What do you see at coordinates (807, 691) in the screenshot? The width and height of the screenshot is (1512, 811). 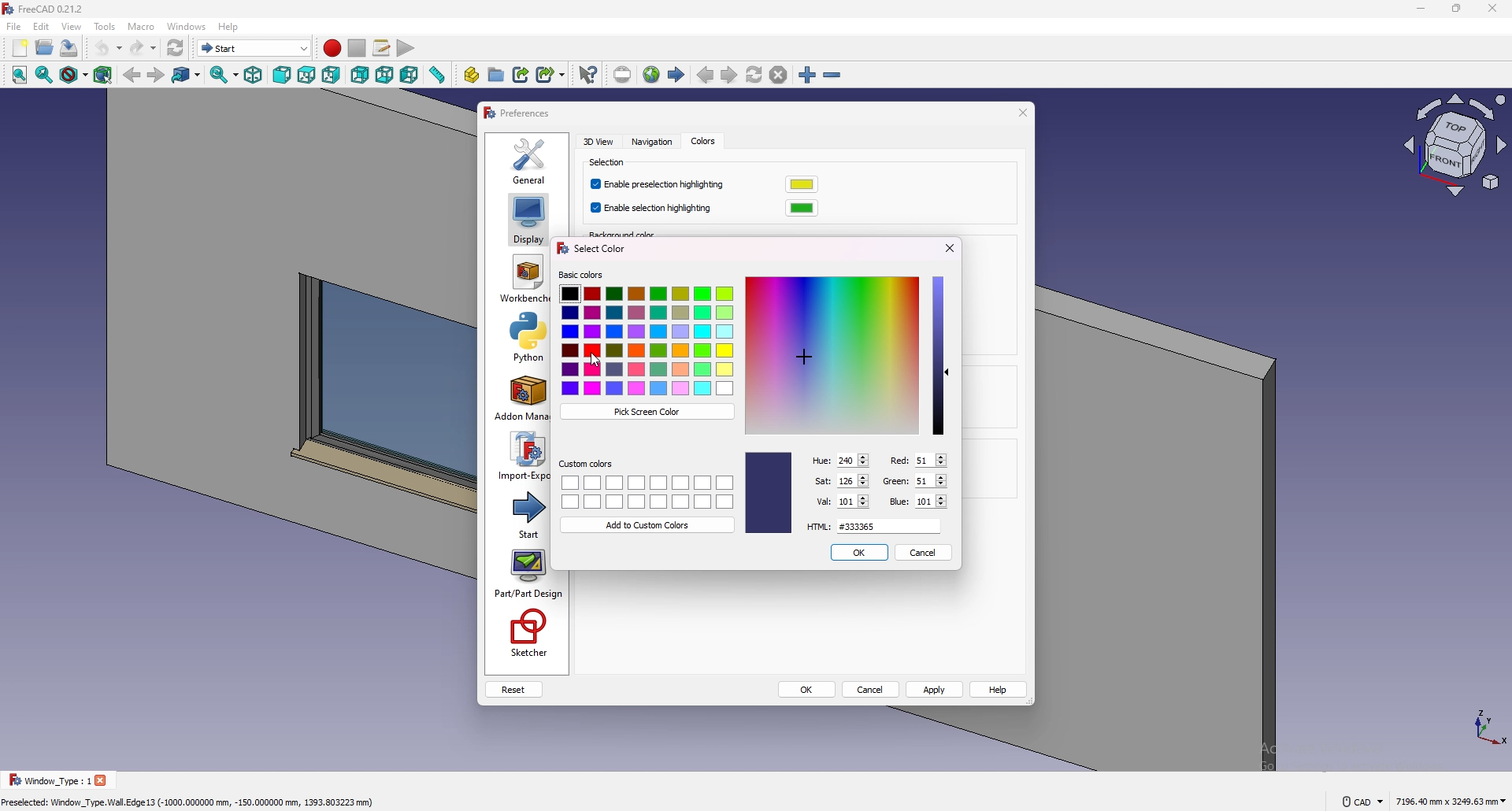 I see `ok` at bounding box center [807, 691].